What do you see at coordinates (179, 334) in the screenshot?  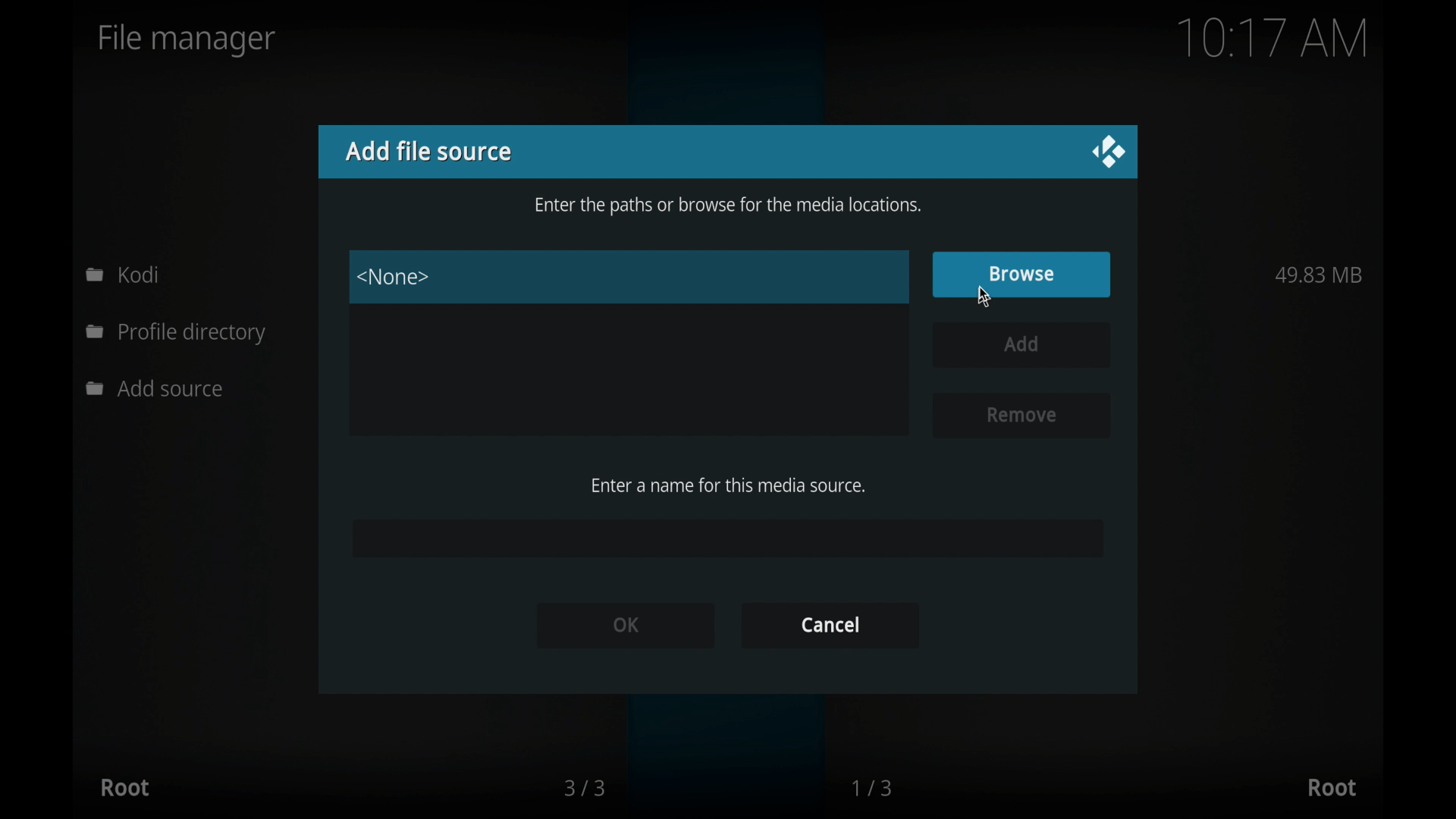 I see `profile directory` at bounding box center [179, 334].